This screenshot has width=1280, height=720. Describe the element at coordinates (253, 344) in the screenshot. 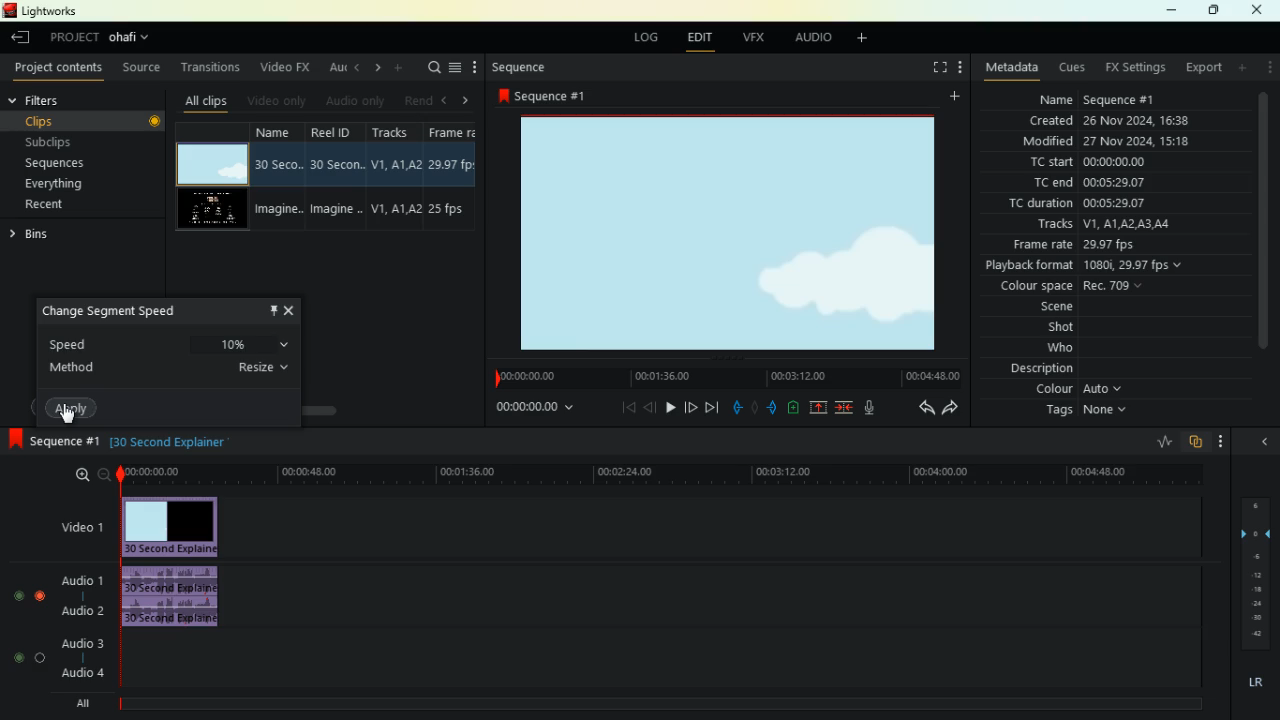

I see `new speed` at that location.